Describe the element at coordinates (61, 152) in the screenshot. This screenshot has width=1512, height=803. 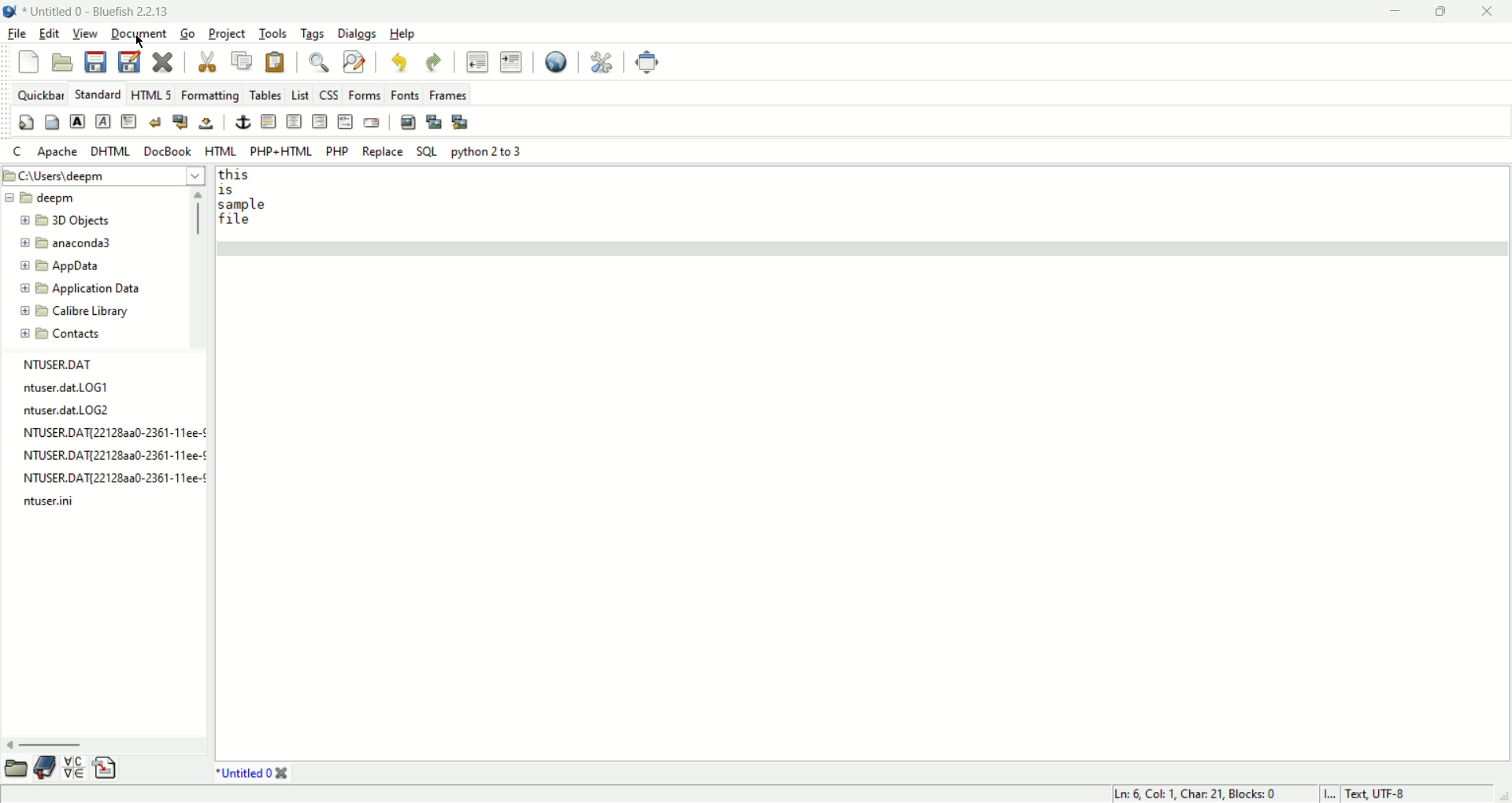
I see `apache` at that location.